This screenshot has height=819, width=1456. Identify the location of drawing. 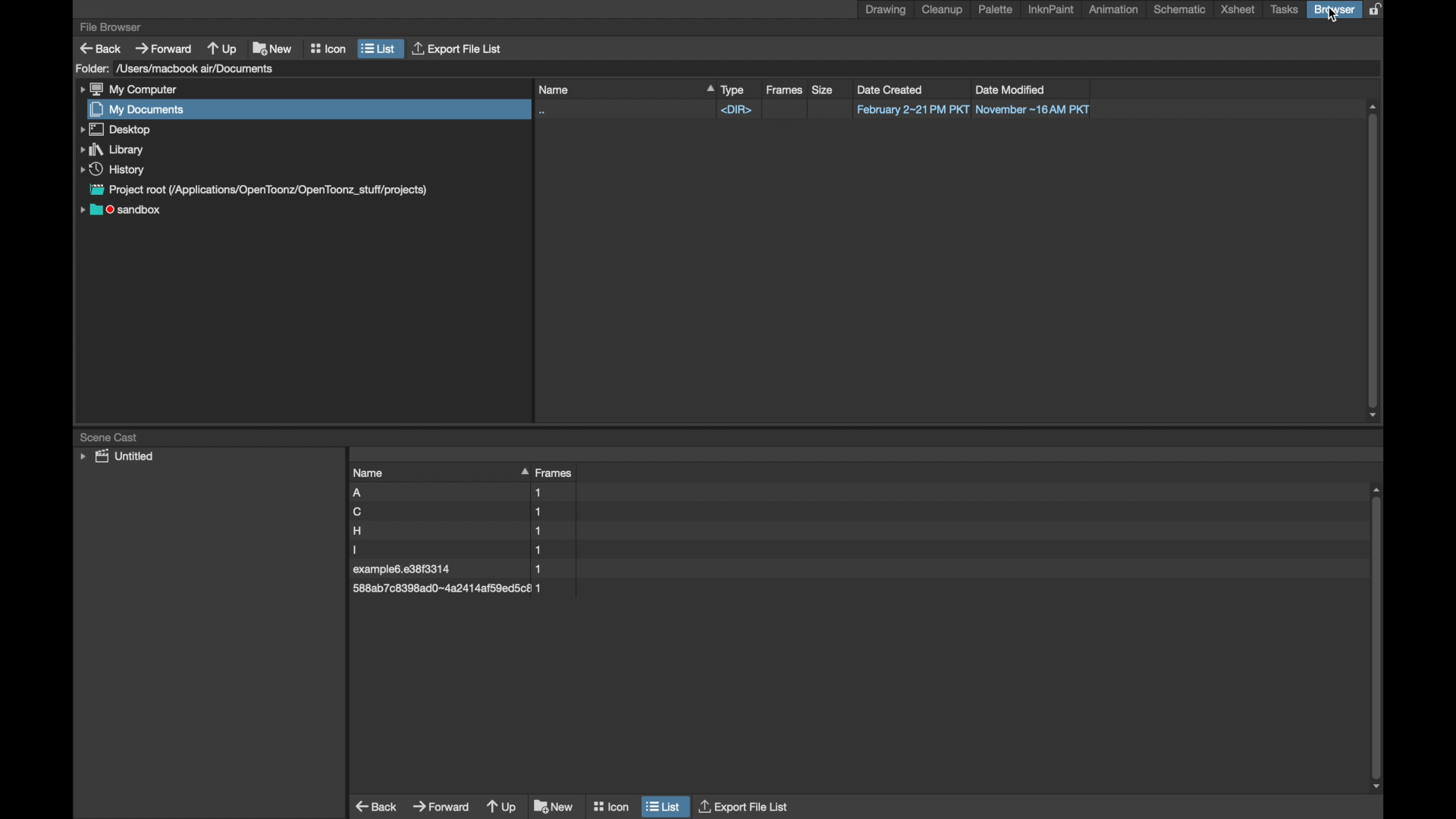
(886, 10).